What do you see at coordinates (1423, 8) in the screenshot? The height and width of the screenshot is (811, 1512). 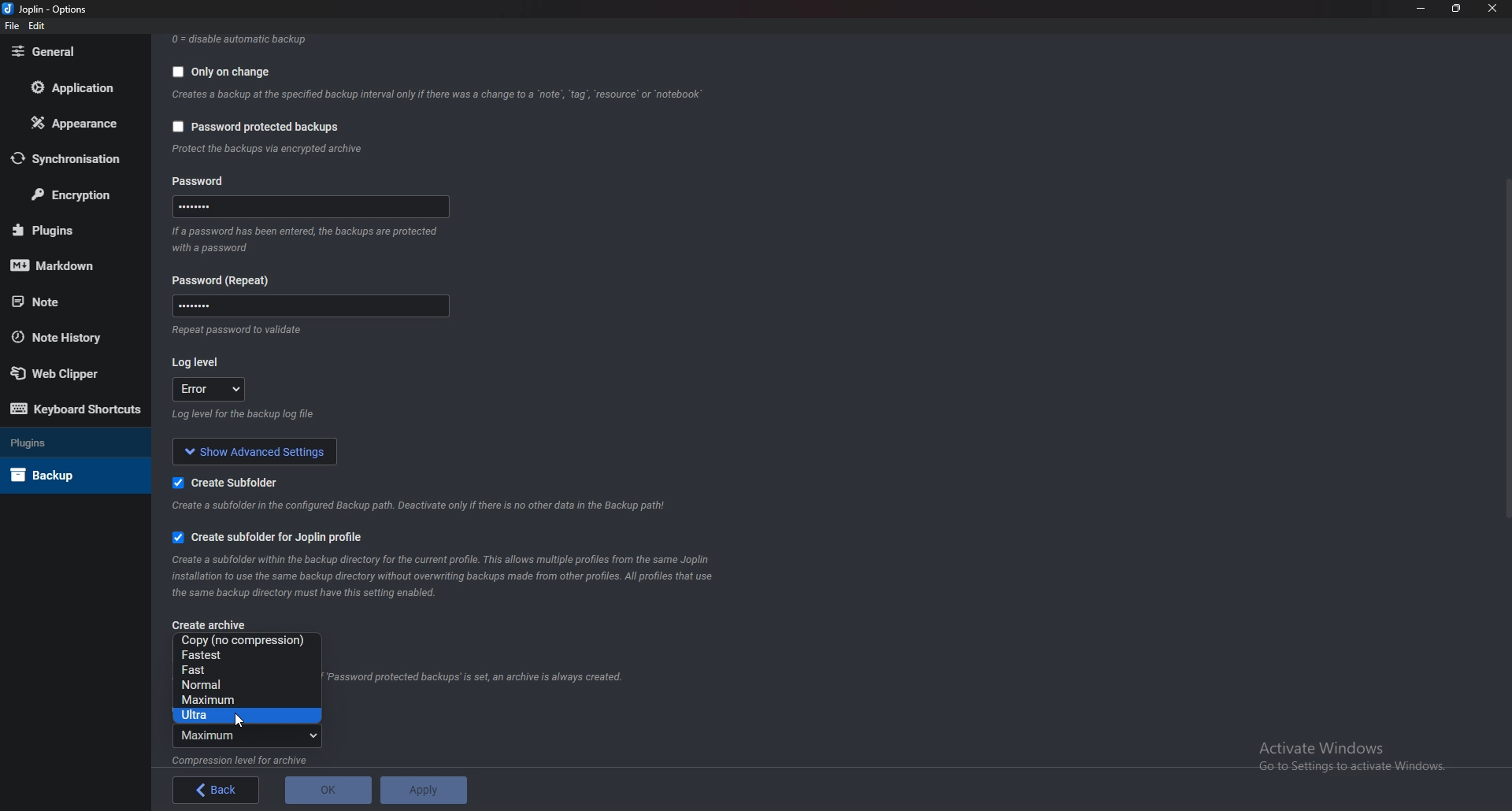 I see `Minimize` at bounding box center [1423, 8].